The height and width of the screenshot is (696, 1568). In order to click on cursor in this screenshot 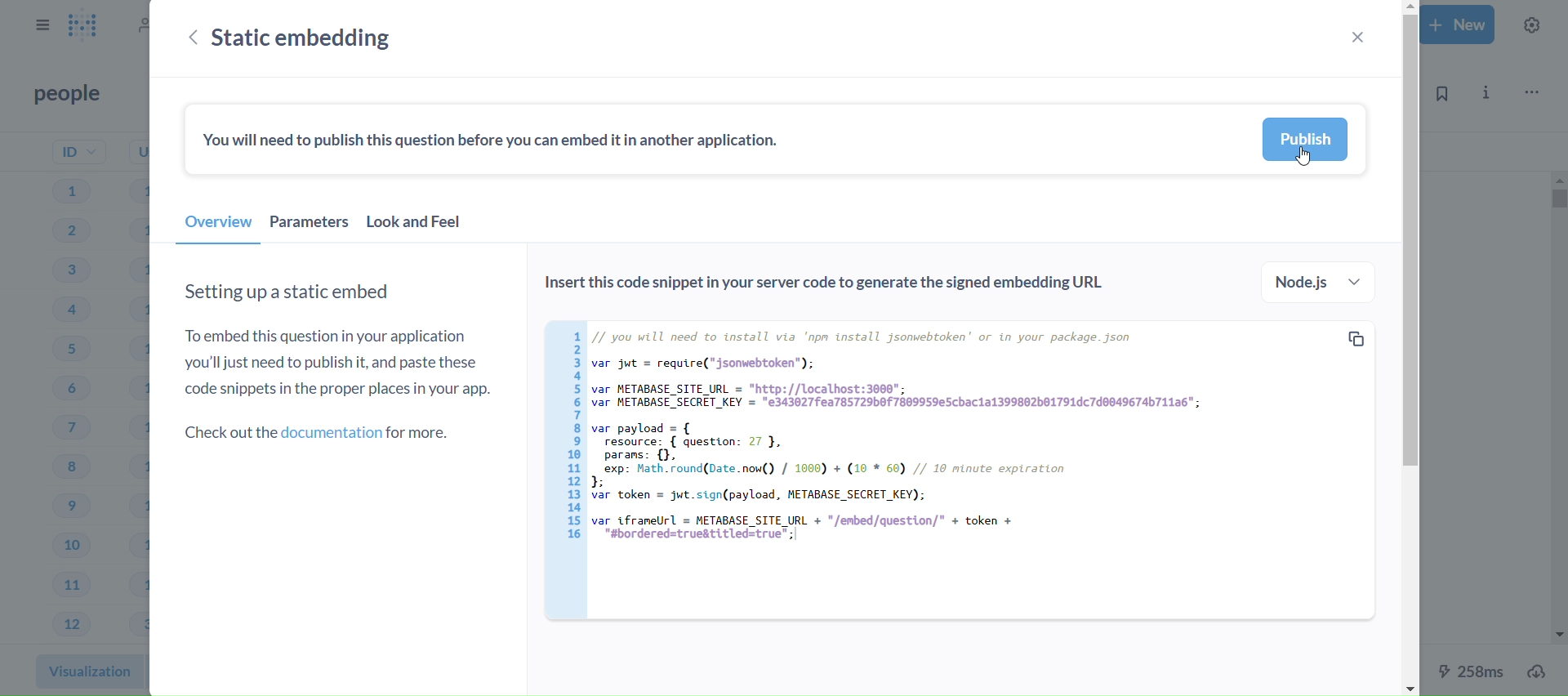, I will do `click(1305, 160)`.